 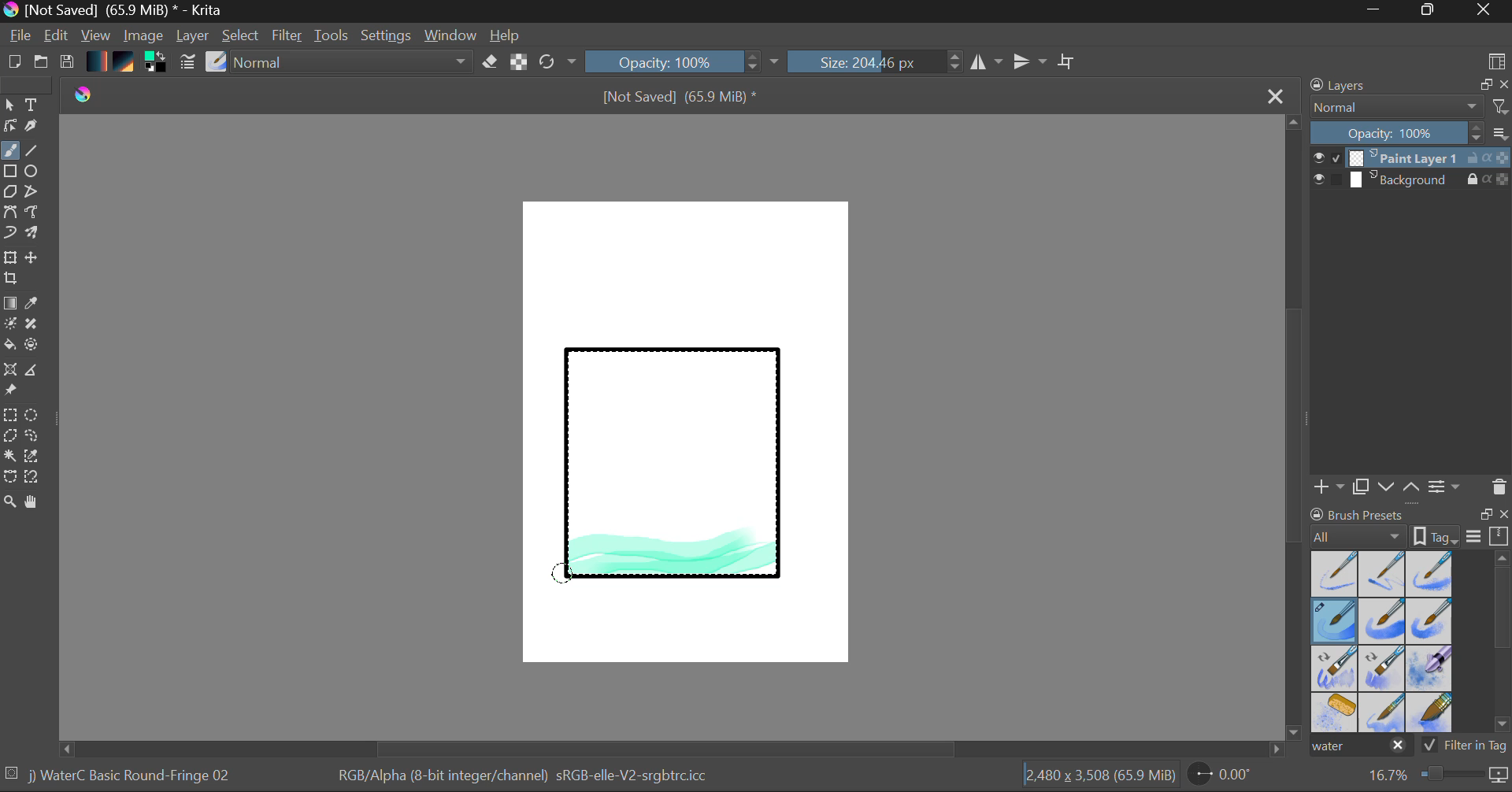 What do you see at coordinates (1407, 83) in the screenshot?
I see `Layers Docket Tab` at bounding box center [1407, 83].